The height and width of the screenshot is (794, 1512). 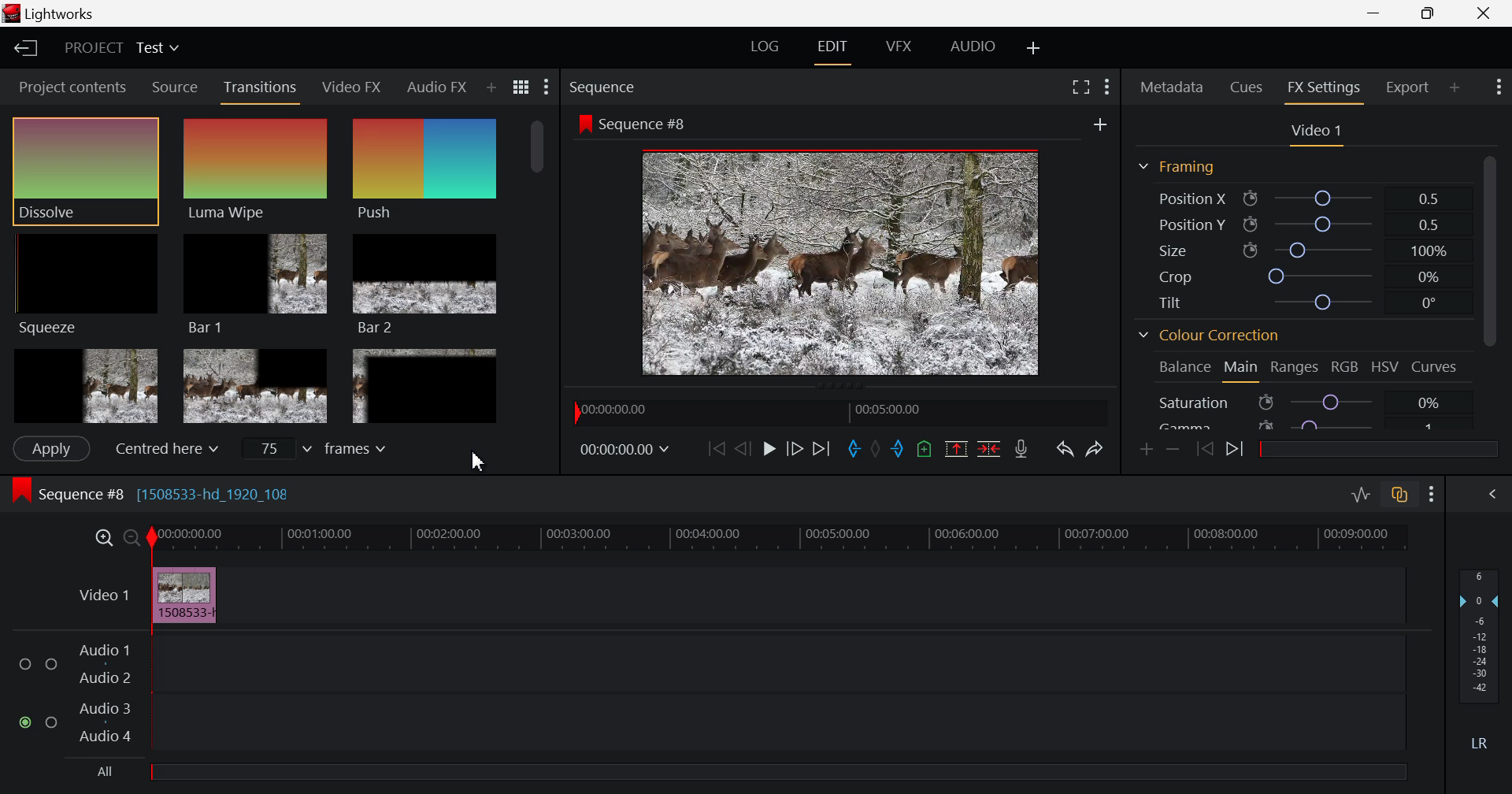 What do you see at coordinates (856, 451) in the screenshot?
I see `Mark In` at bounding box center [856, 451].